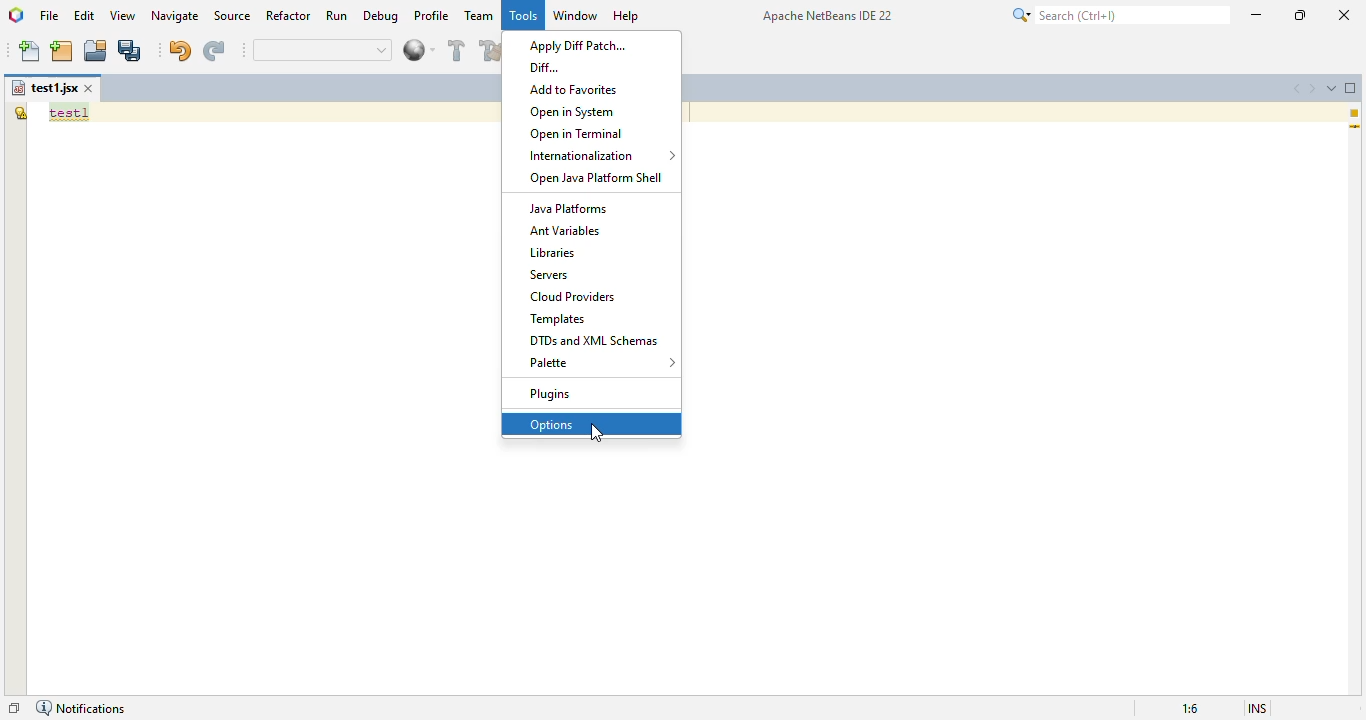 Image resolution: width=1366 pixels, height=720 pixels. What do you see at coordinates (458, 50) in the screenshot?
I see `build project` at bounding box center [458, 50].